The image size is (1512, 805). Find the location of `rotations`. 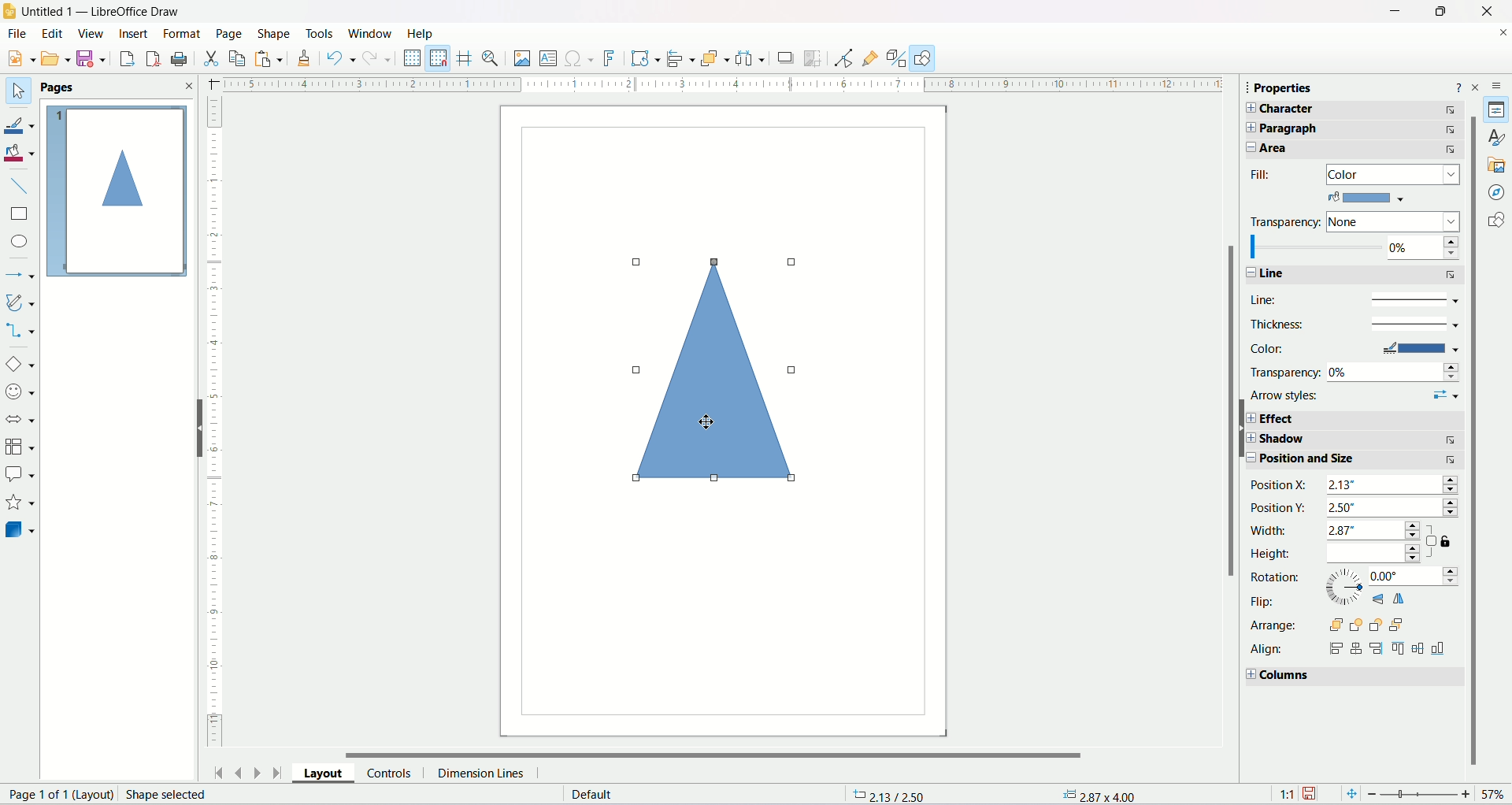

rotations is located at coordinates (1354, 576).